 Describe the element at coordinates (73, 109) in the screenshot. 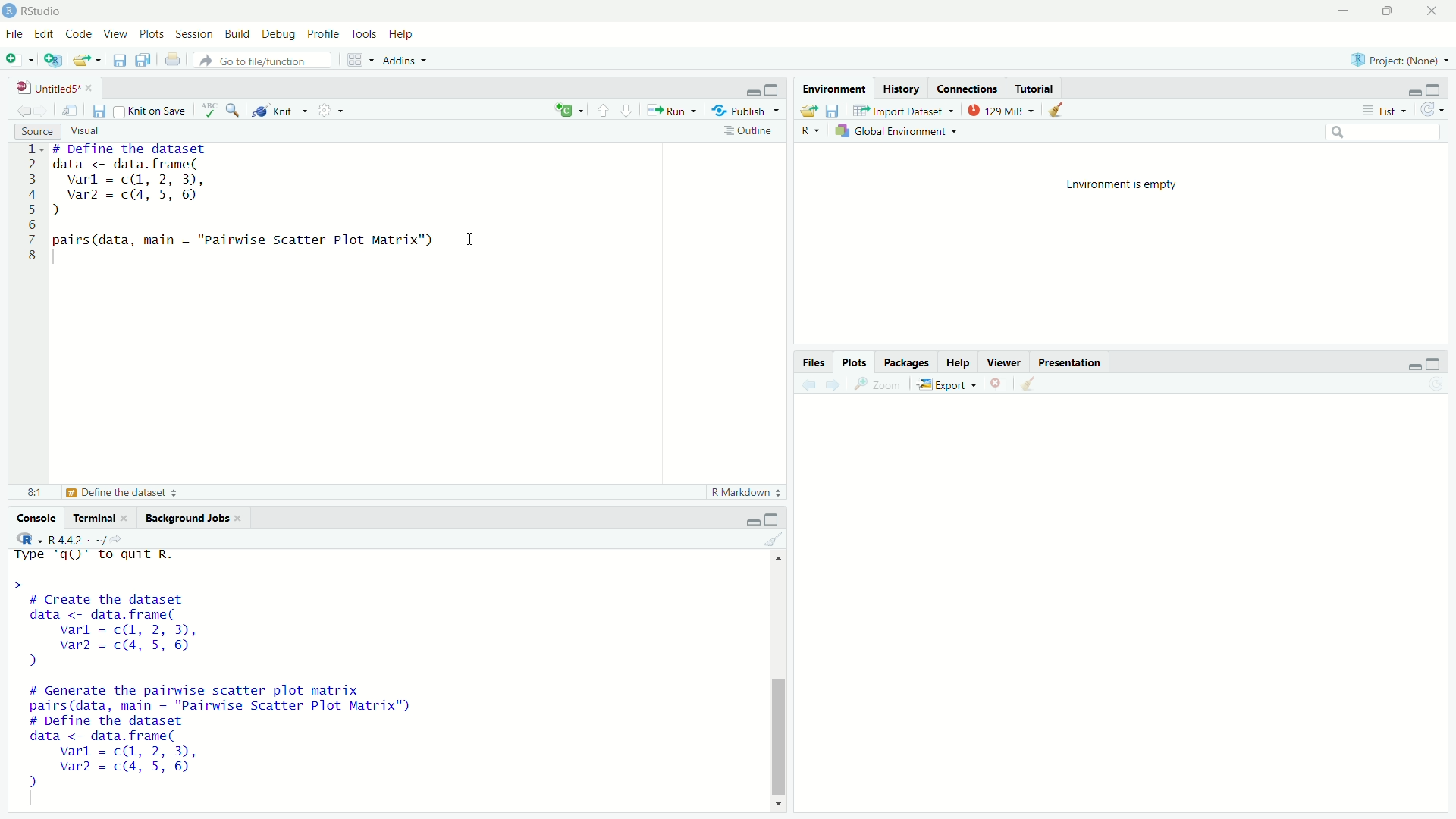

I see `Show in new window` at that location.